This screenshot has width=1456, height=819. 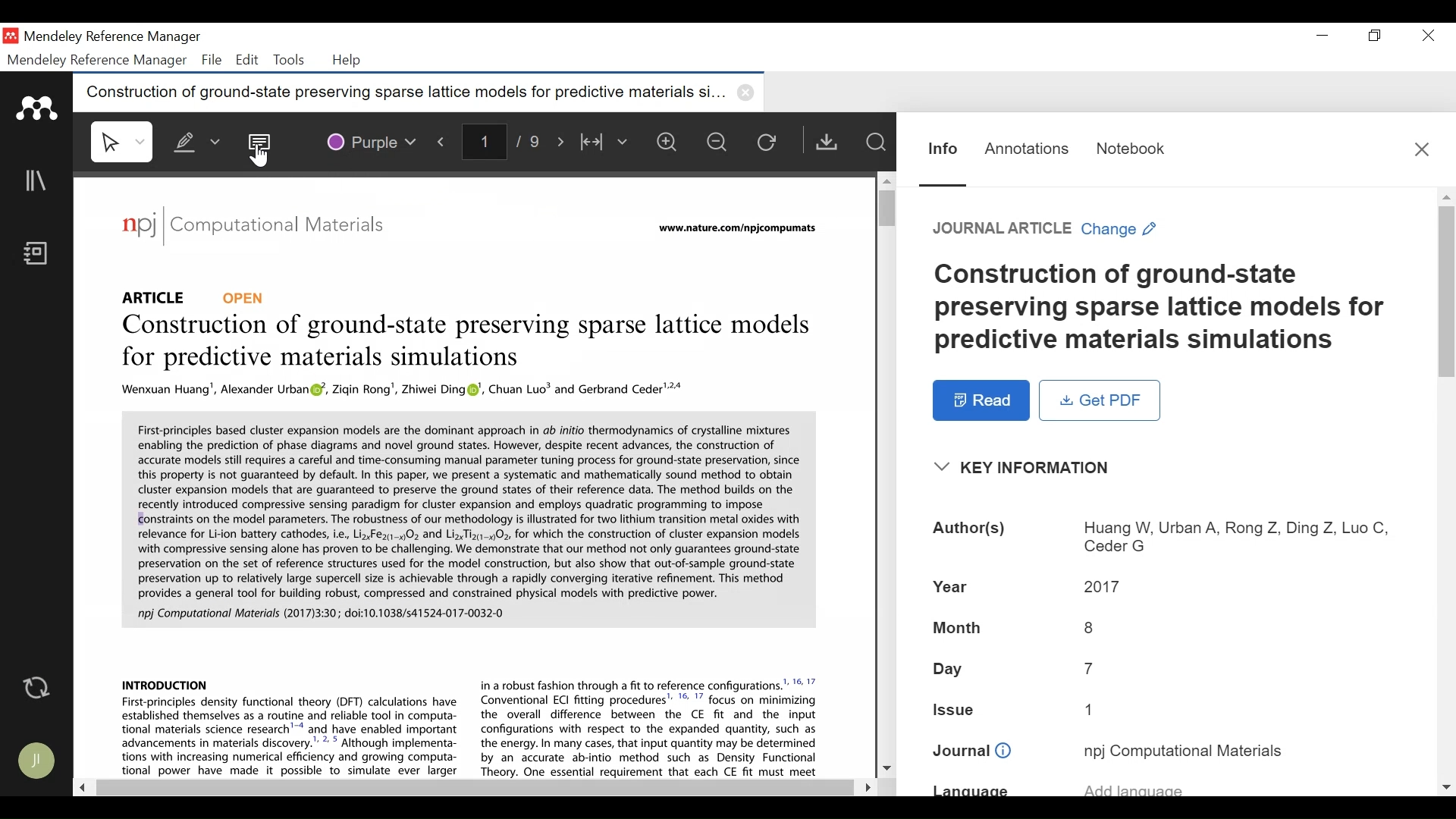 What do you see at coordinates (1373, 36) in the screenshot?
I see `Restore` at bounding box center [1373, 36].